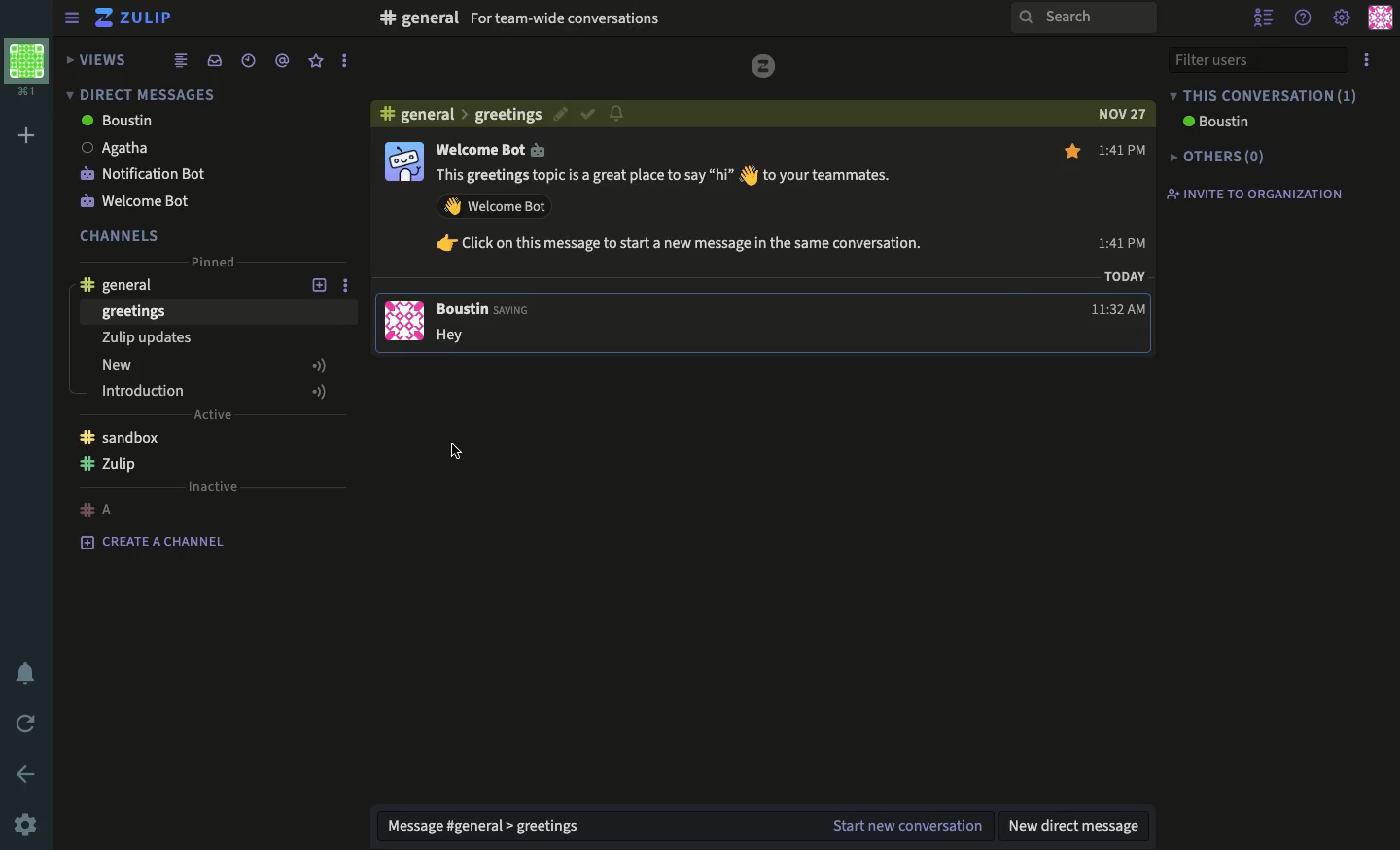 The height and width of the screenshot is (850, 1400). Describe the element at coordinates (126, 282) in the screenshot. I see `general` at that location.